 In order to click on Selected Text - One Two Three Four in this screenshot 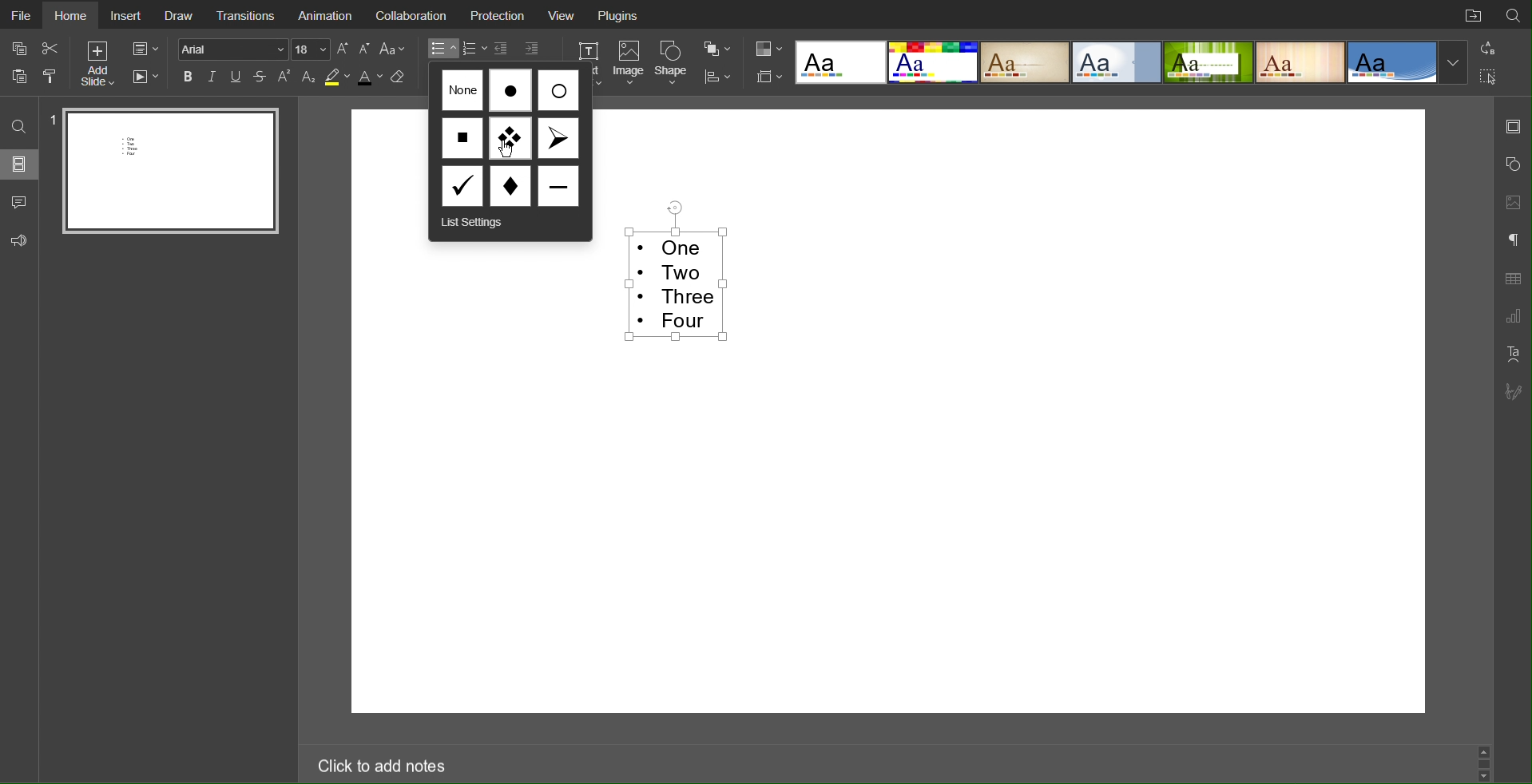, I will do `click(677, 279)`.